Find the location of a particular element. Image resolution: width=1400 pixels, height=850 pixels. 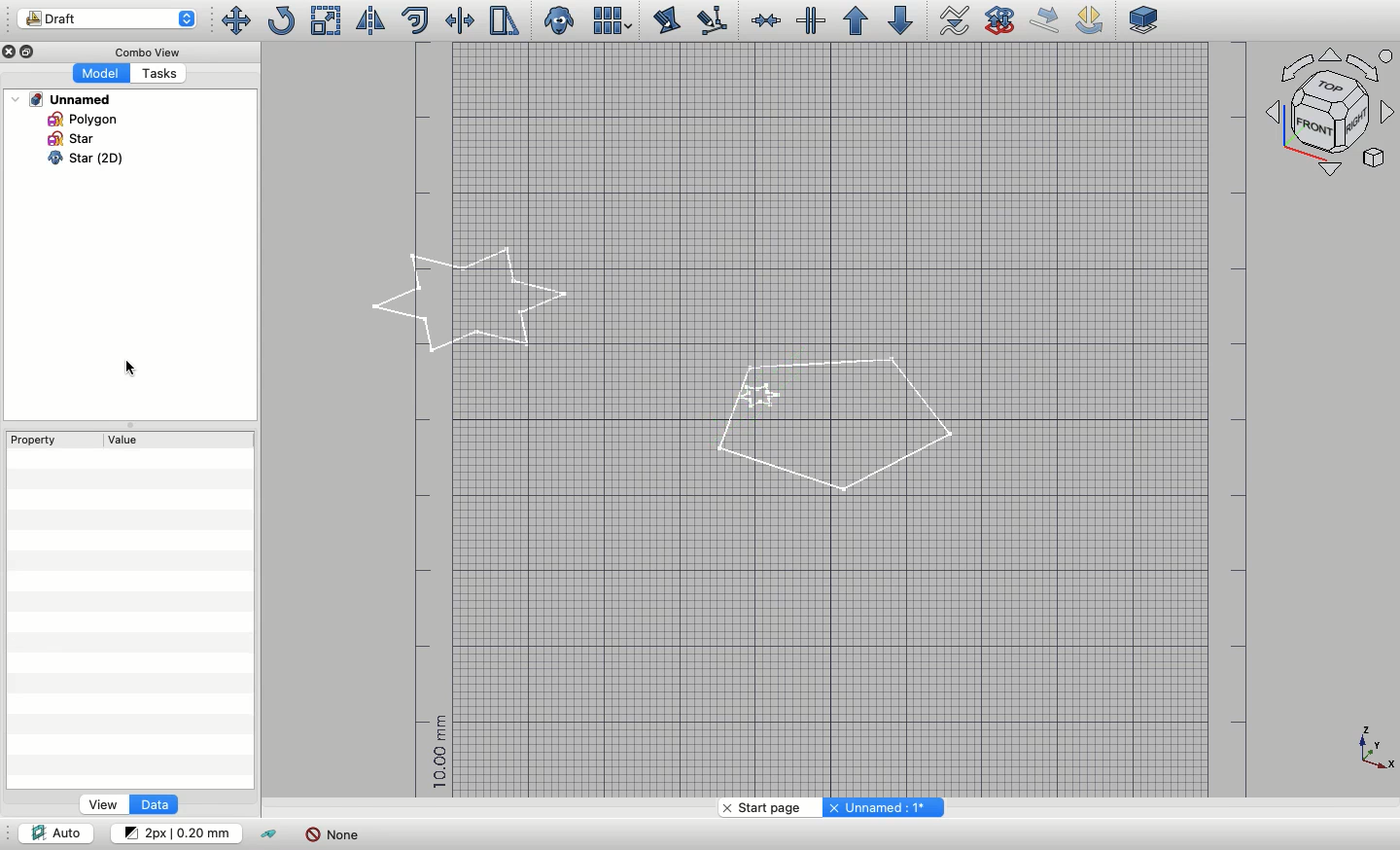

Split is located at coordinates (810, 20).